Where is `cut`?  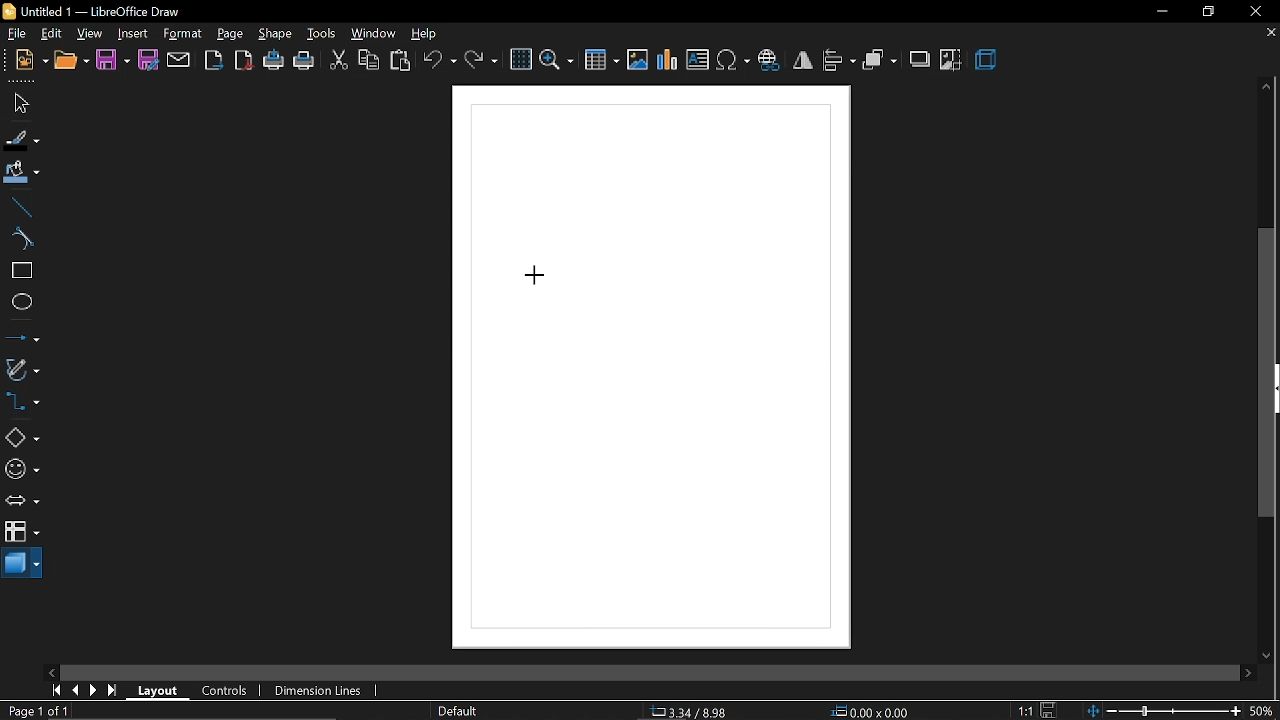
cut is located at coordinates (339, 63).